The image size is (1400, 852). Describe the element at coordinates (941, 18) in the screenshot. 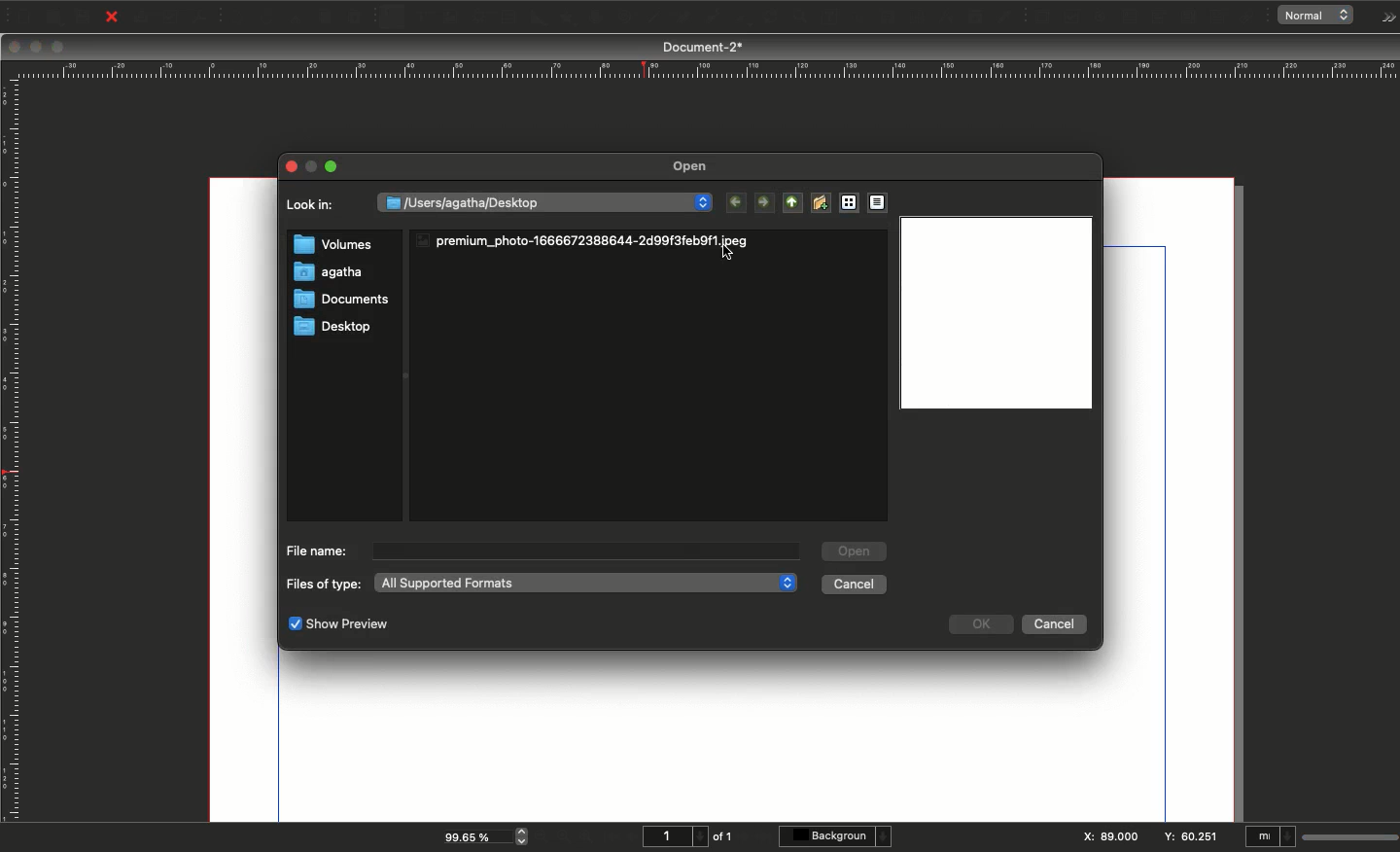

I see `Measurements` at that location.